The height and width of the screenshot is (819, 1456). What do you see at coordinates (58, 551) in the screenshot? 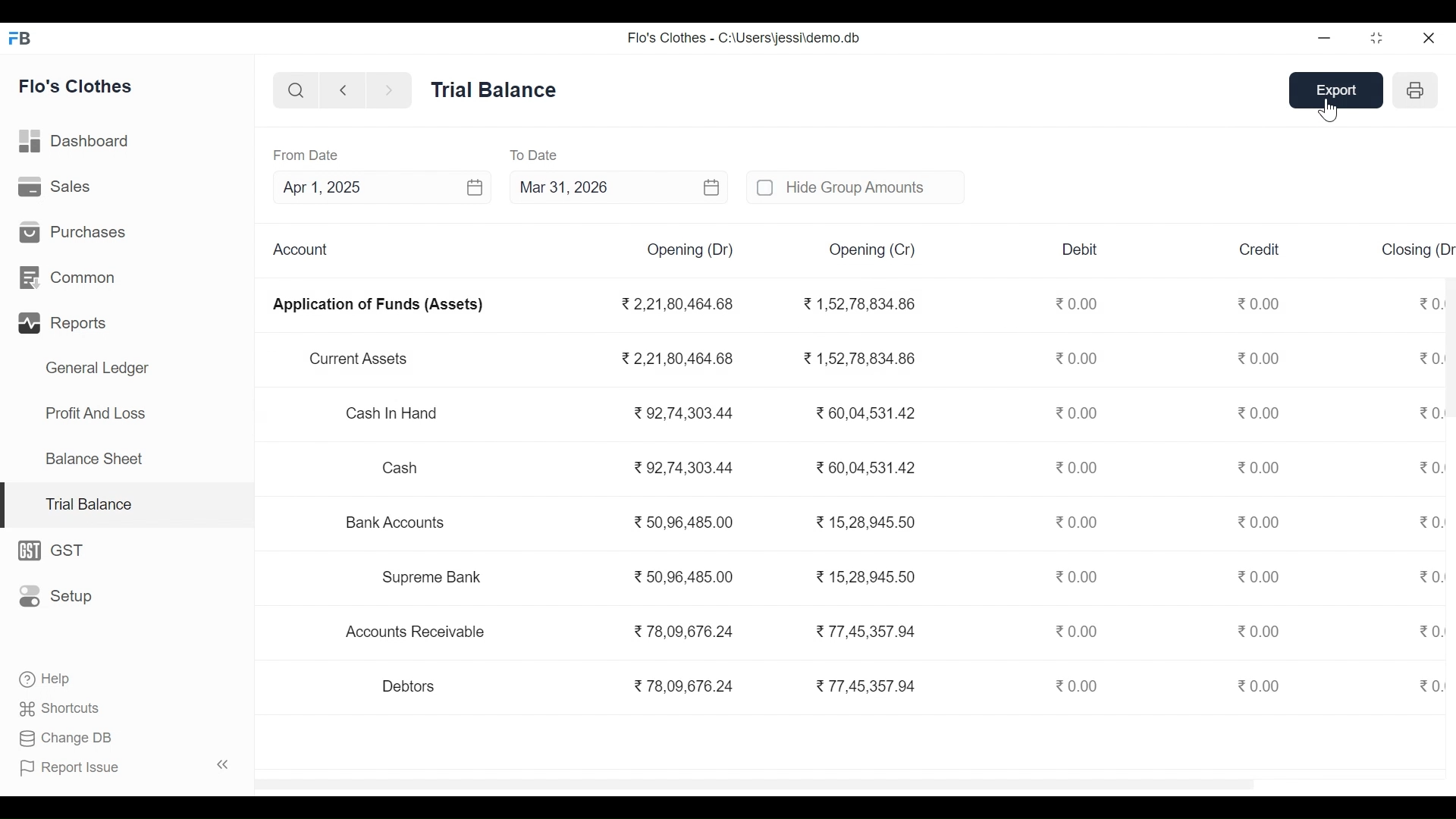
I see `GST` at bounding box center [58, 551].